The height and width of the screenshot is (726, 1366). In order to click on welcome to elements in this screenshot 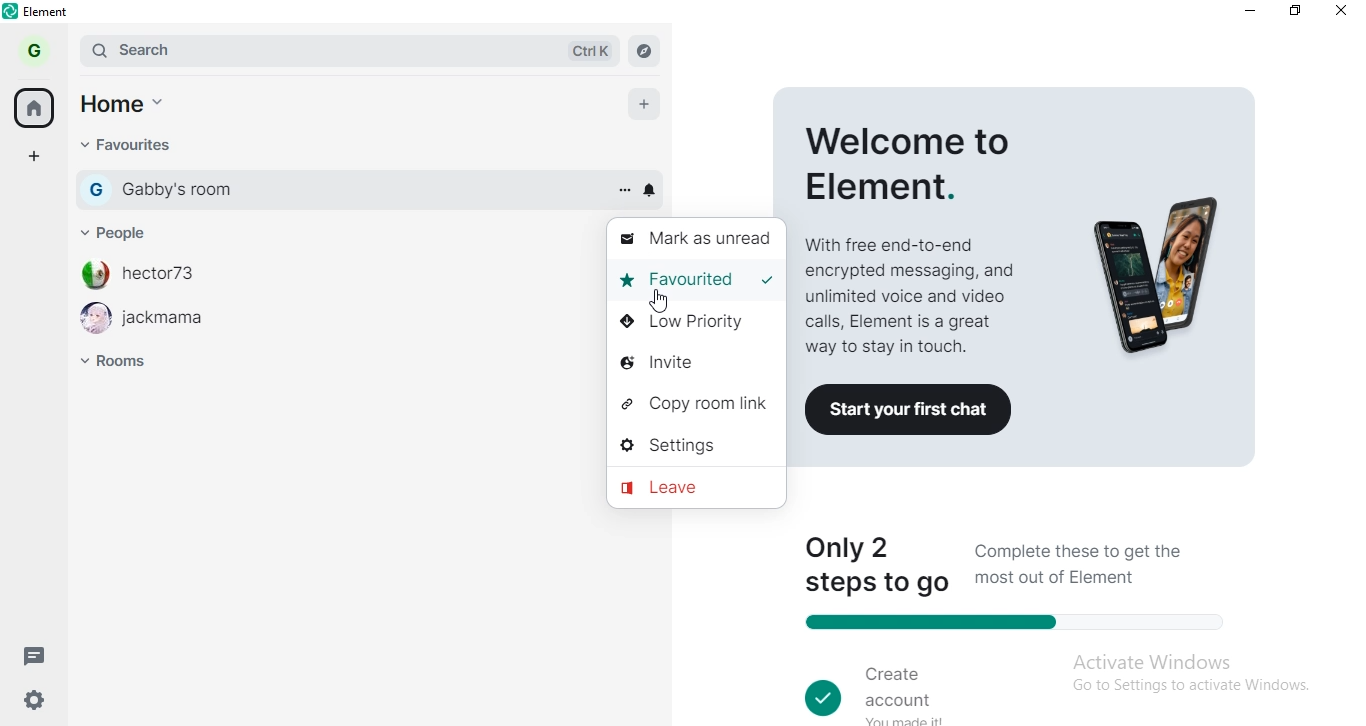, I will do `click(916, 227)`.